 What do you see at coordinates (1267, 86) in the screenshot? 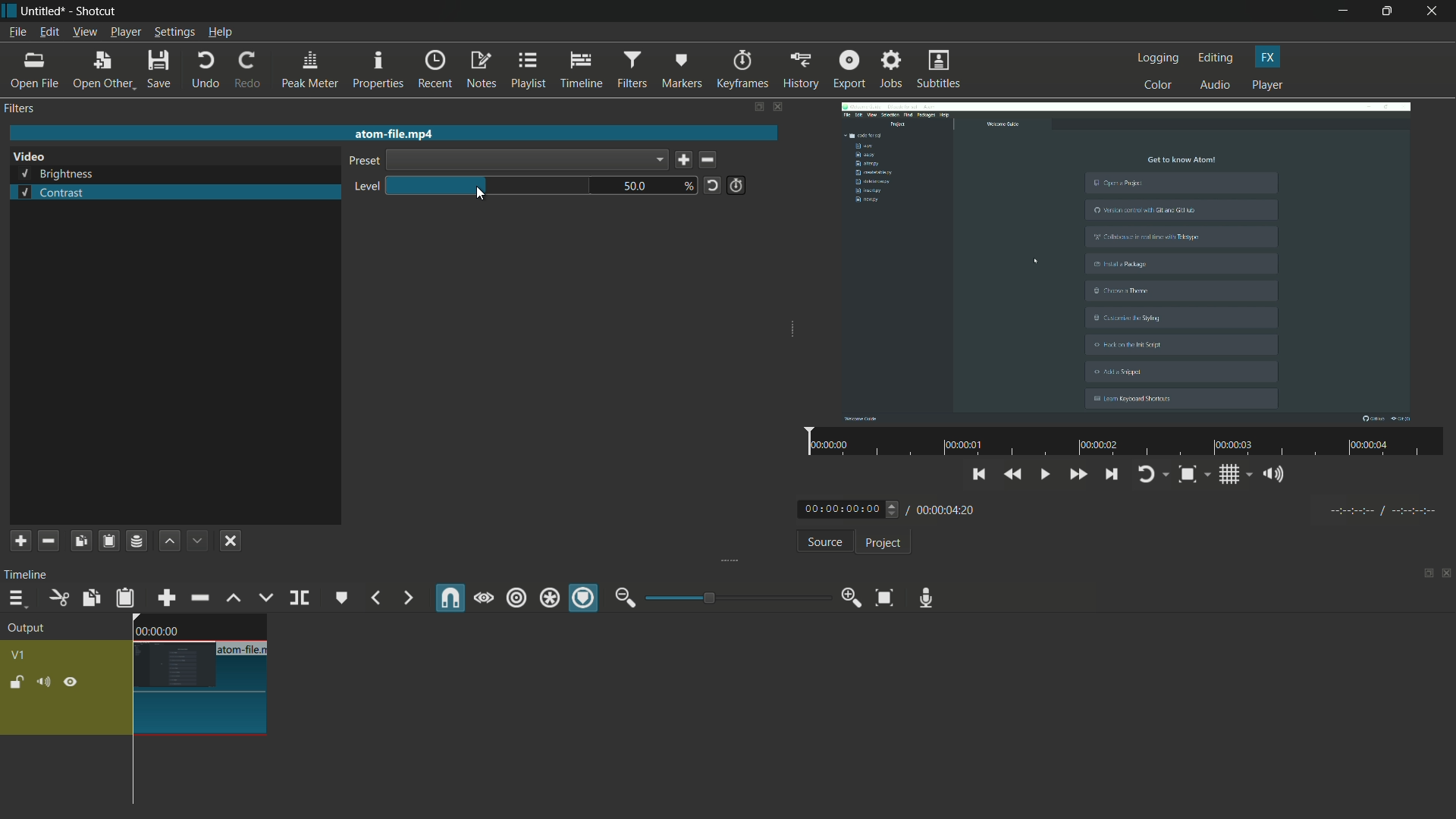
I see `player` at bounding box center [1267, 86].